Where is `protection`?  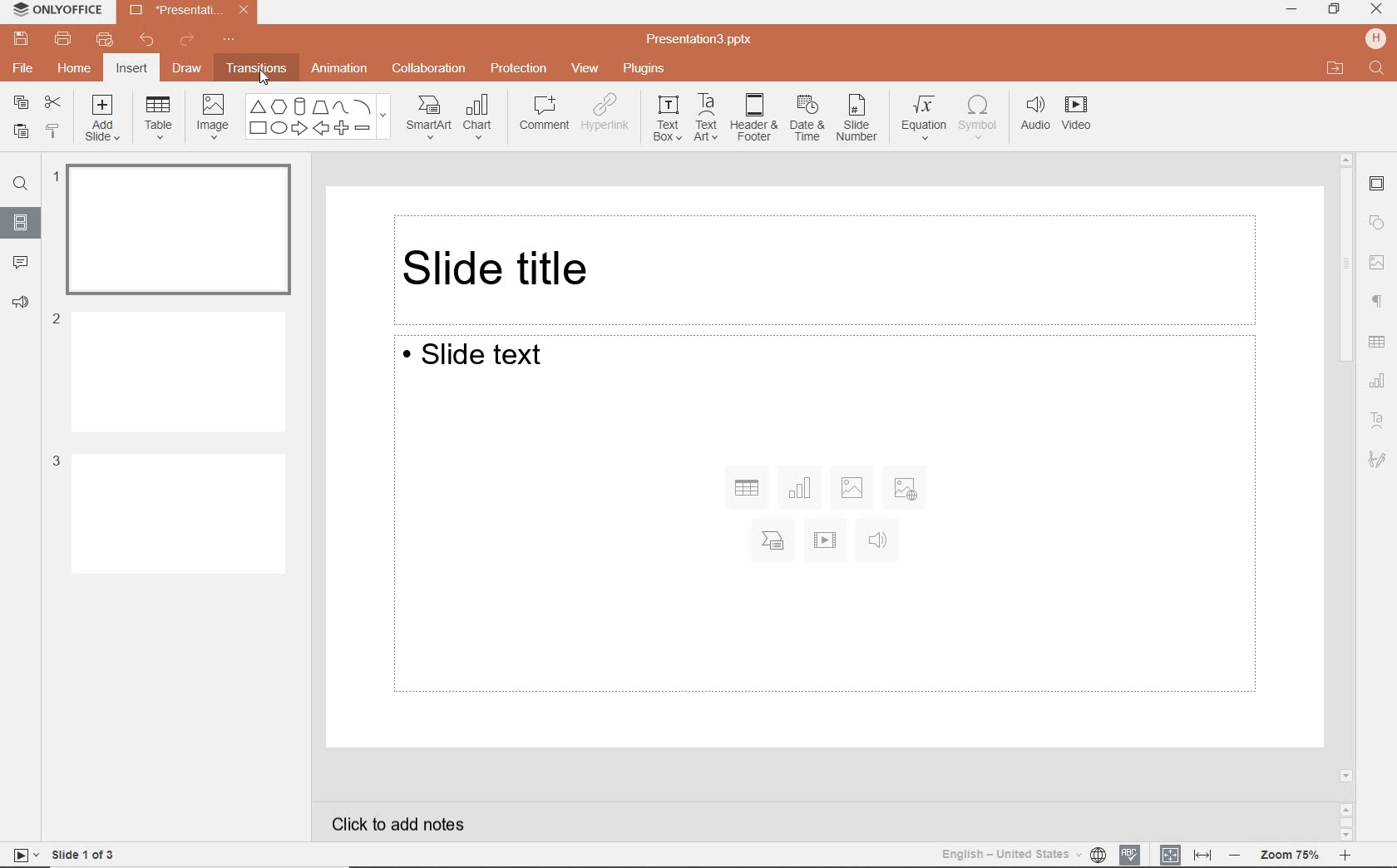 protection is located at coordinates (521, 70).